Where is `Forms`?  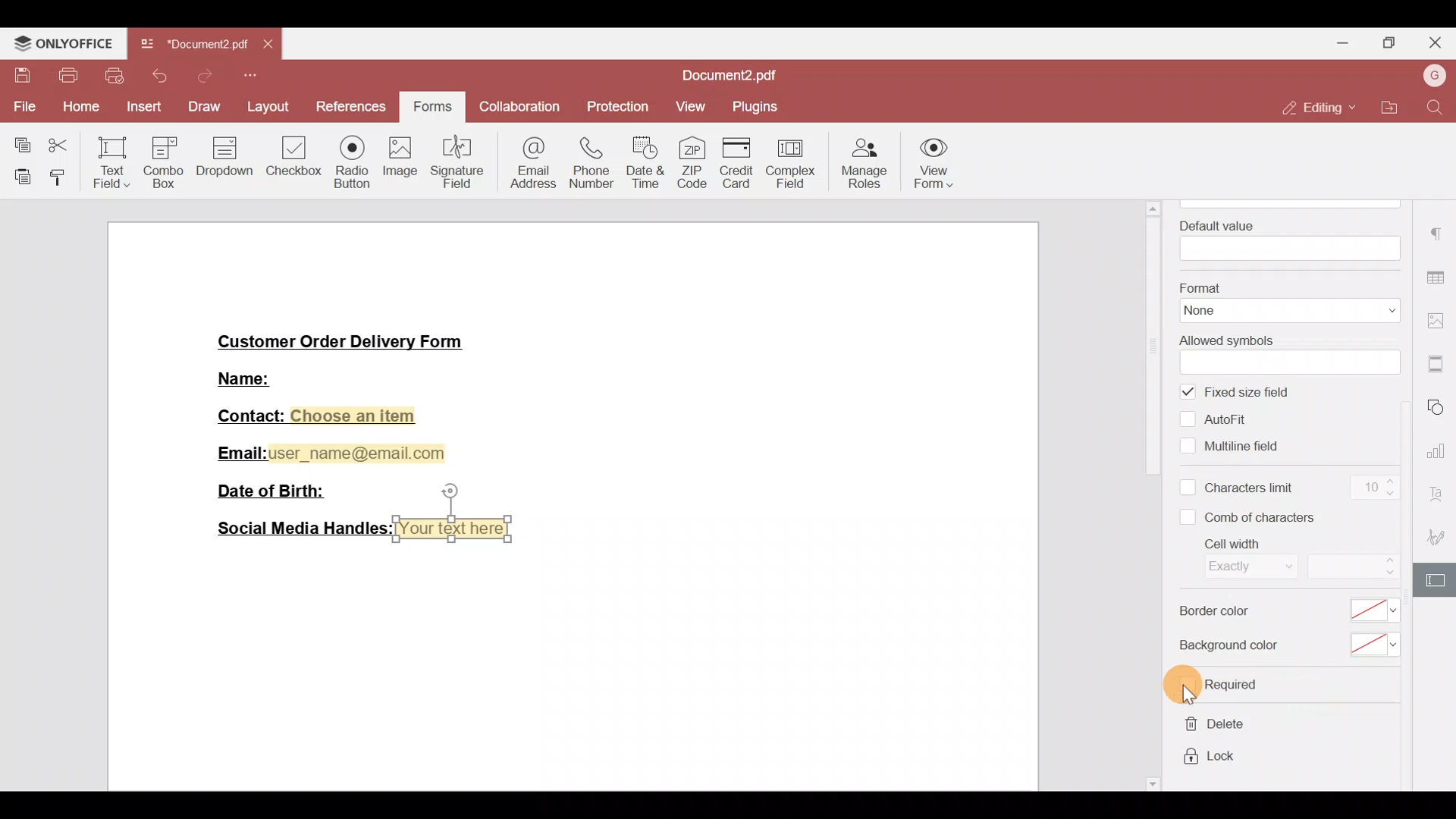 Forms is located at coordinates (435, 103).